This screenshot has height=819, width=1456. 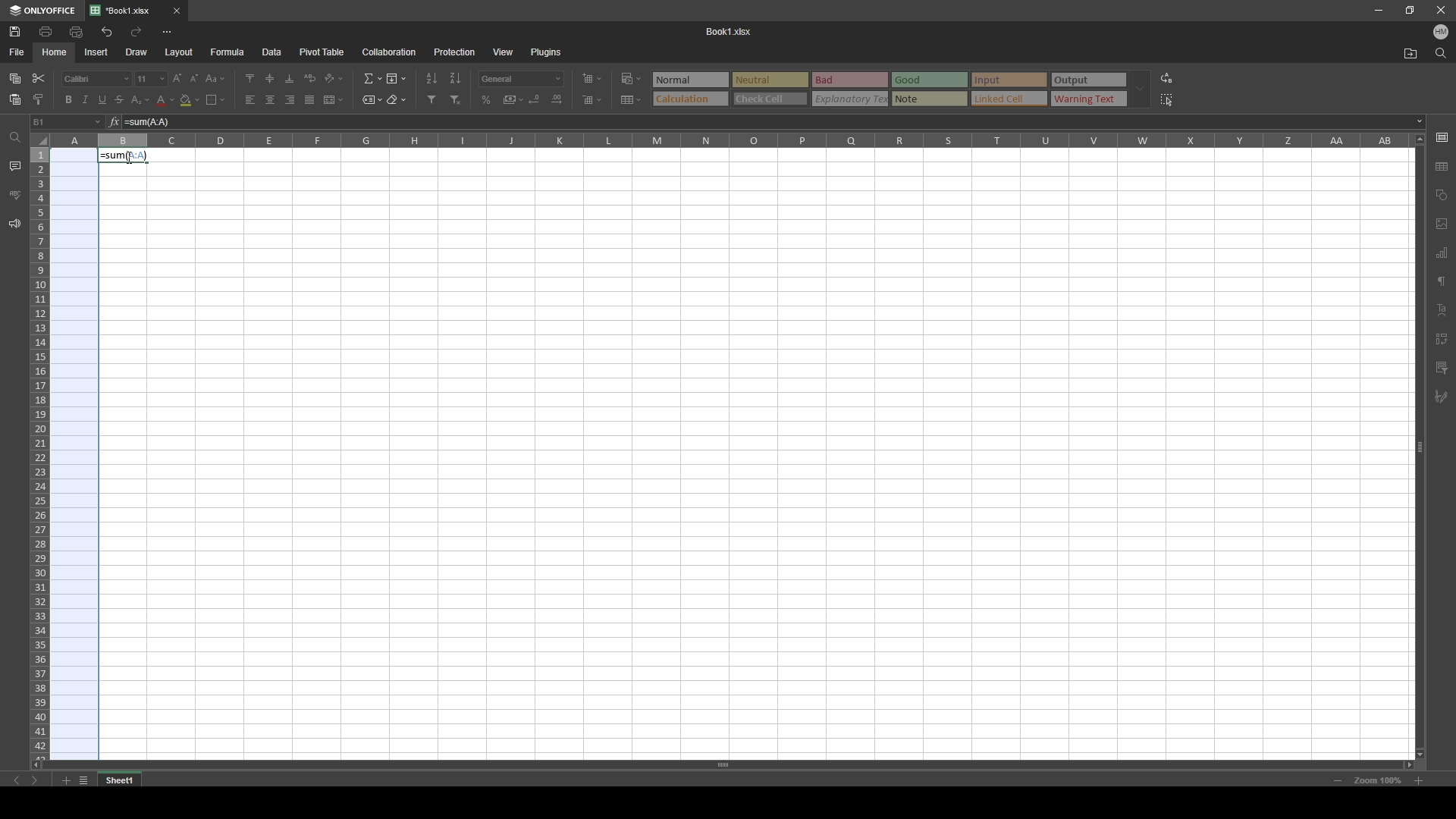 I want to click on scroll bar, so click(x=1418, y=444).